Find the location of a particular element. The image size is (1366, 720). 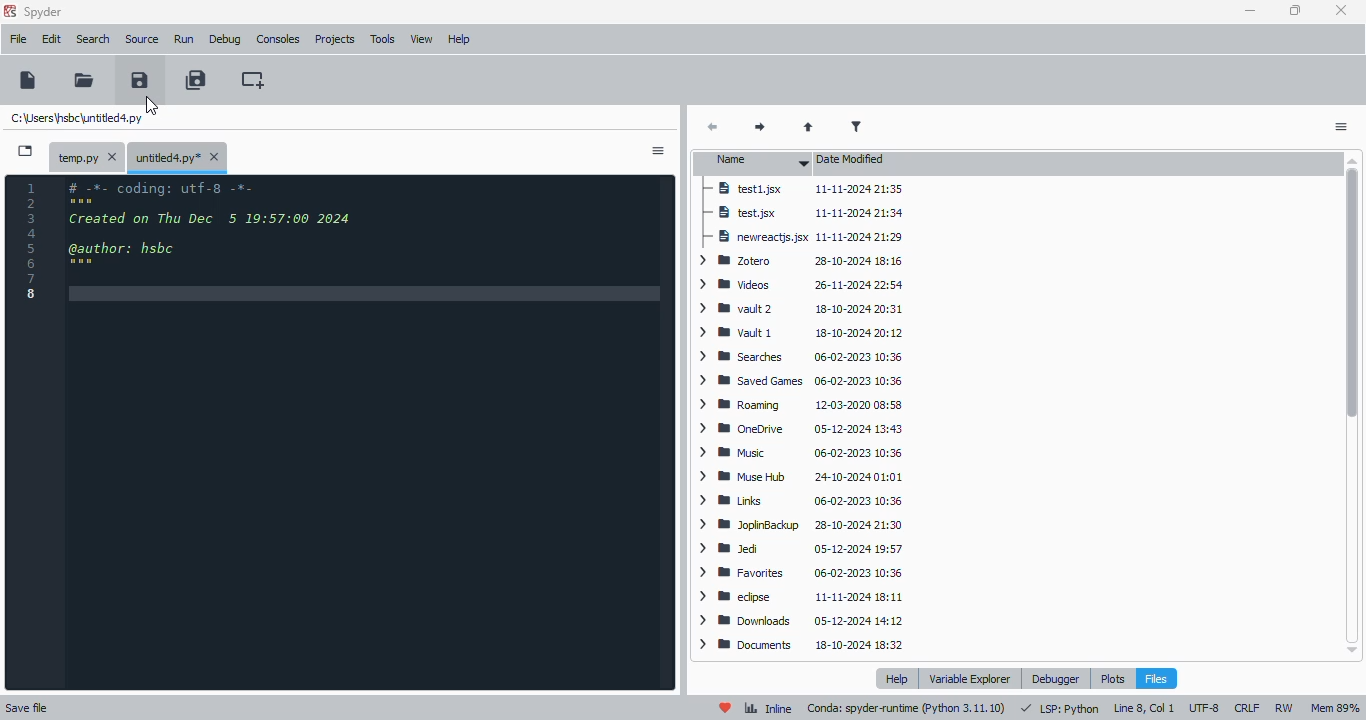

help is located at coordinates (896, 679).